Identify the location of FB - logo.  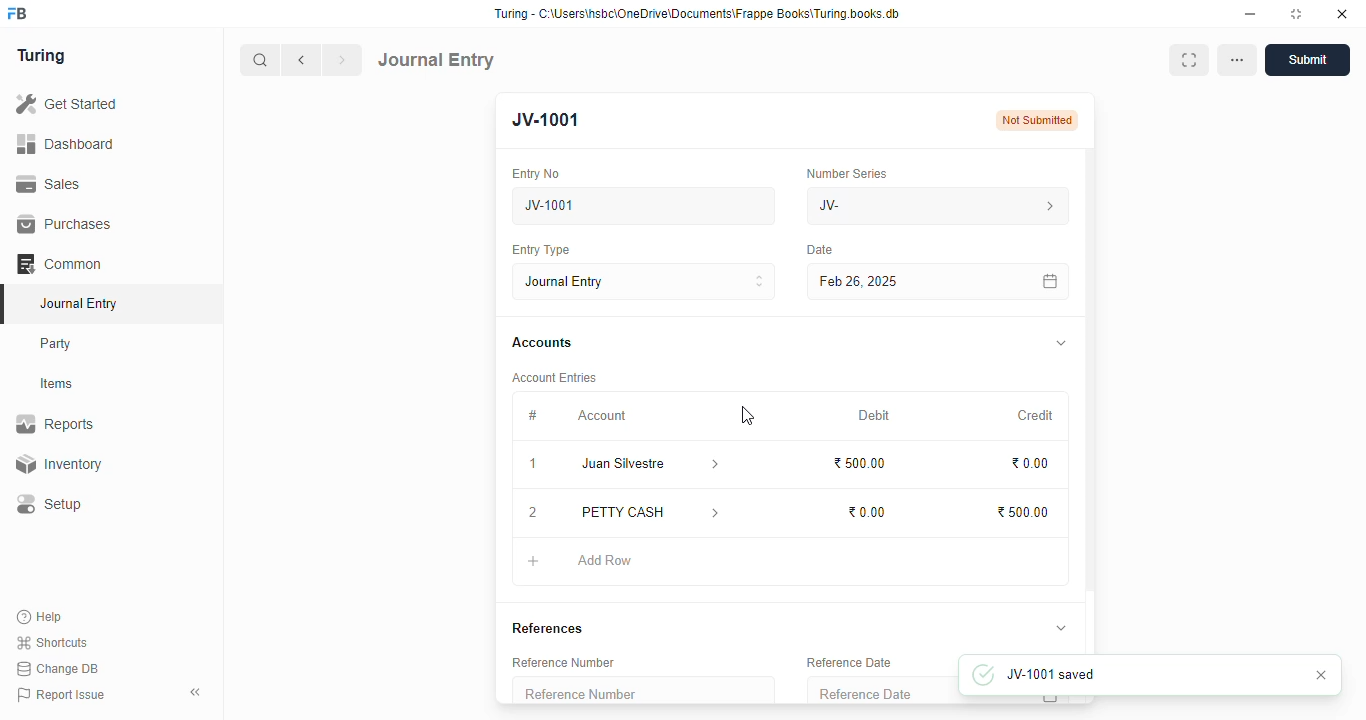
(17, 13).